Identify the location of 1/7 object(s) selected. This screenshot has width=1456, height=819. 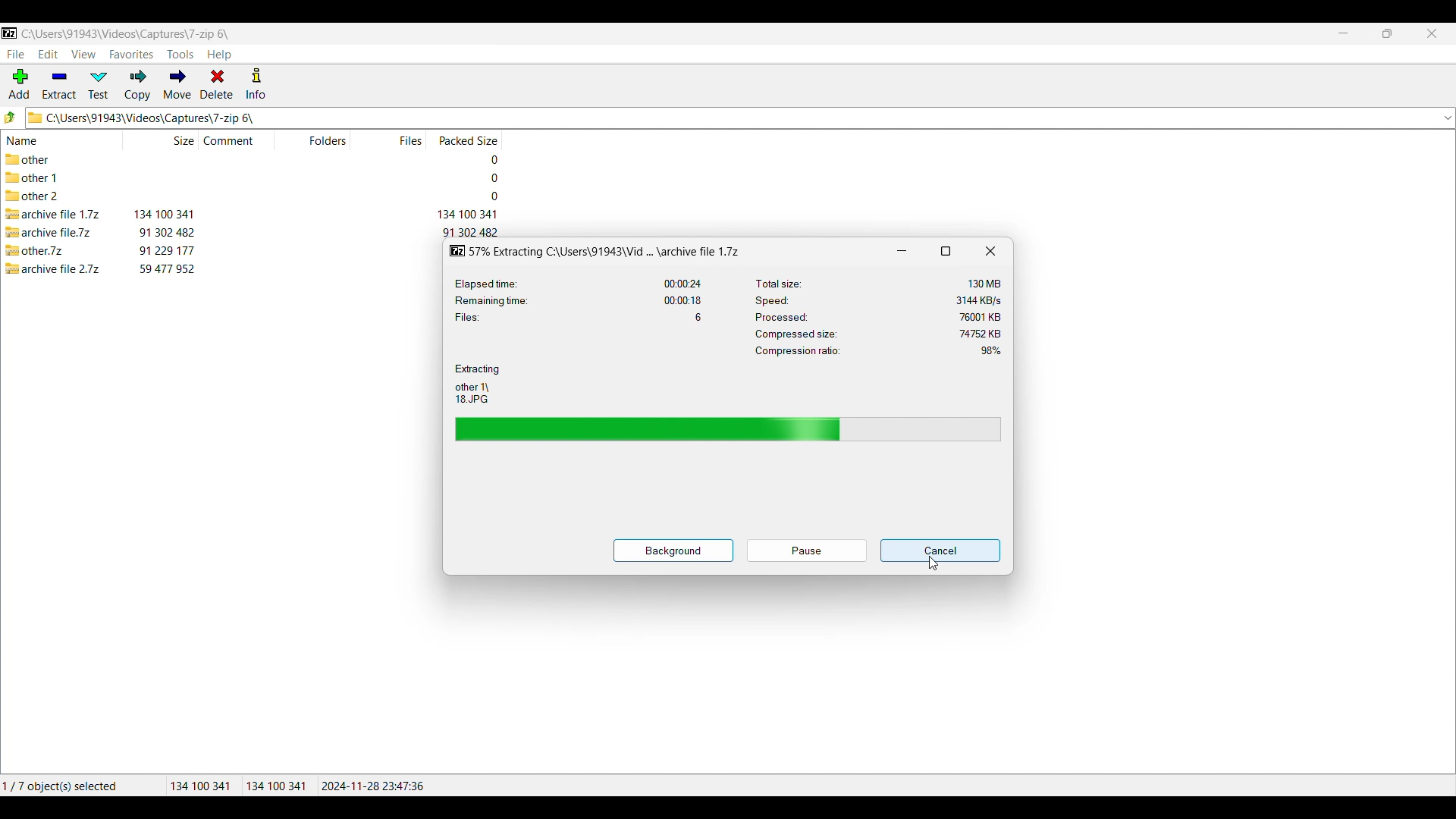
(71, 783).